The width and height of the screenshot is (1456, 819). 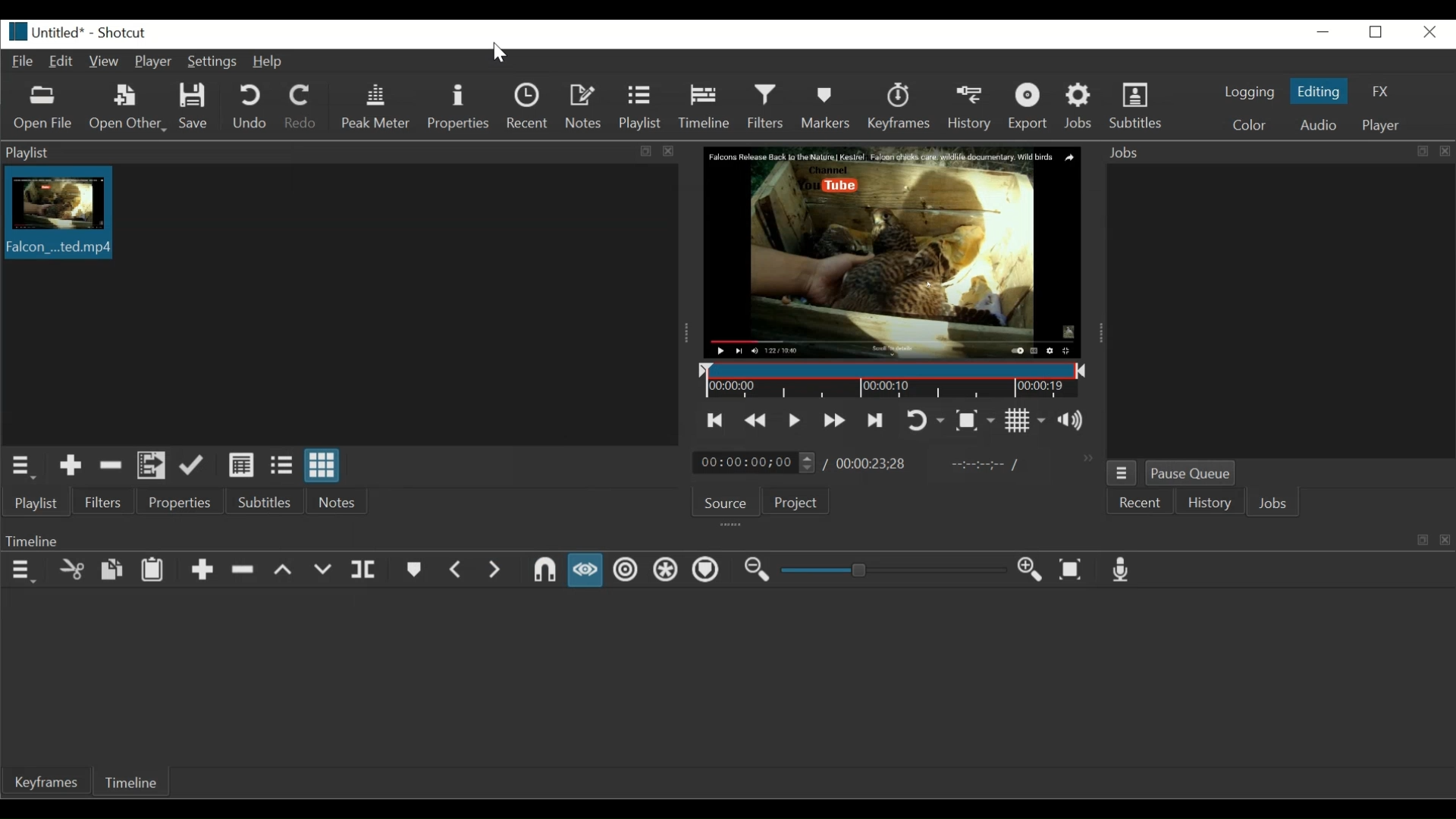 I want to click on History, so click(x=968, y=108).